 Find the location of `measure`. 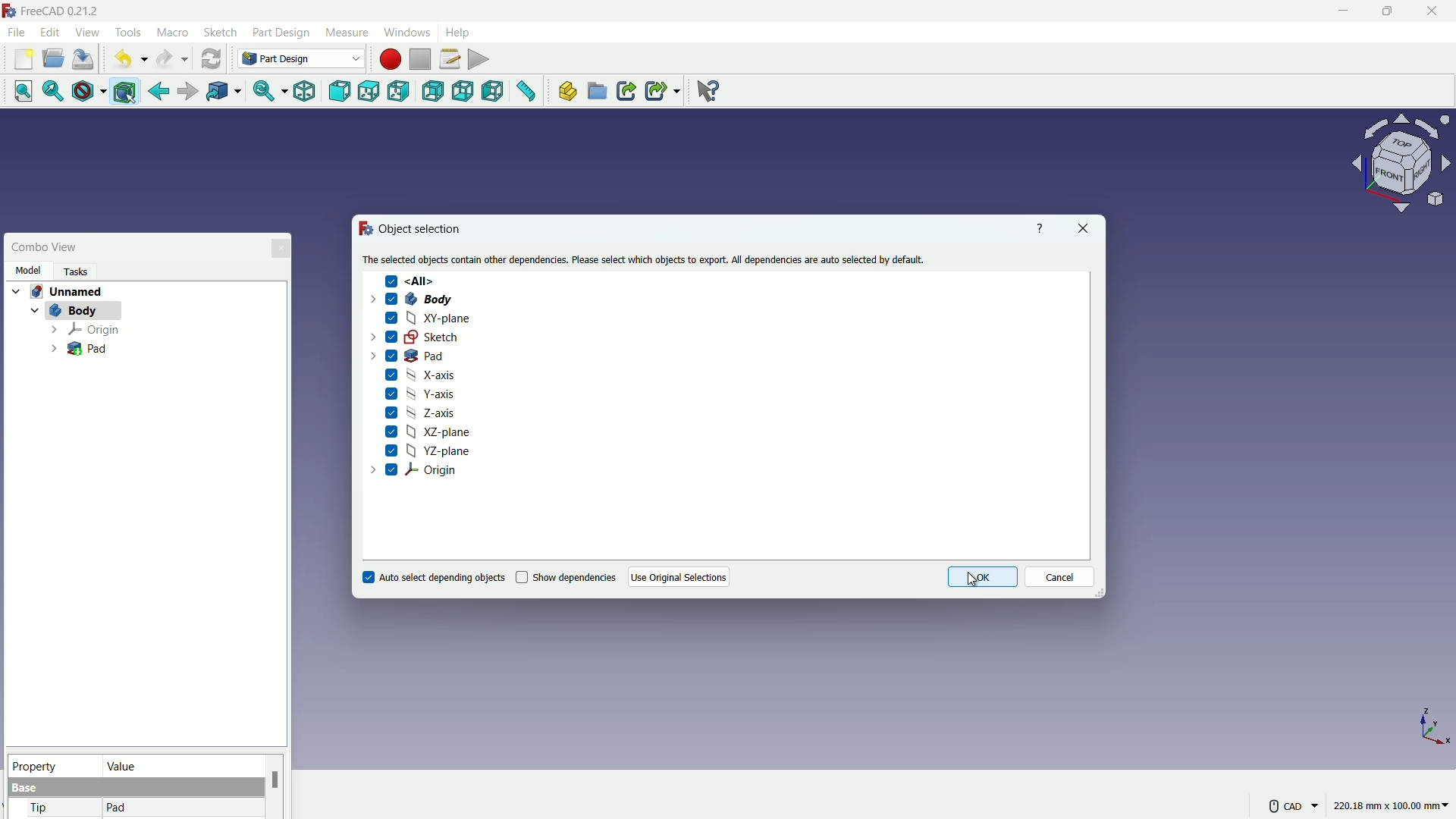

measure is located at coordinates (346, 33).